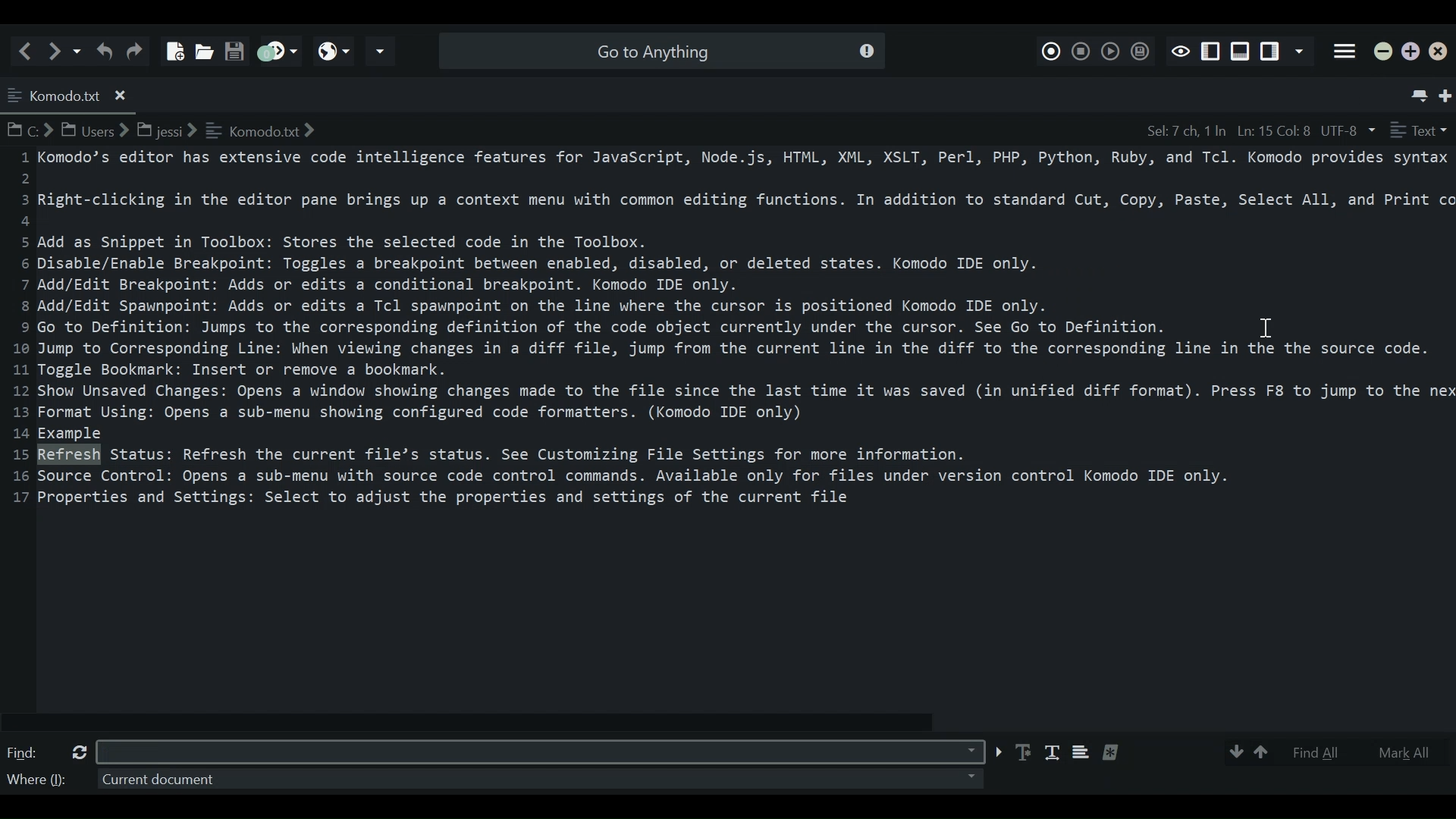 This screenshot has height=819, width=1456. I want to click on Show/Hide Pane Below, so click(1239, 52).